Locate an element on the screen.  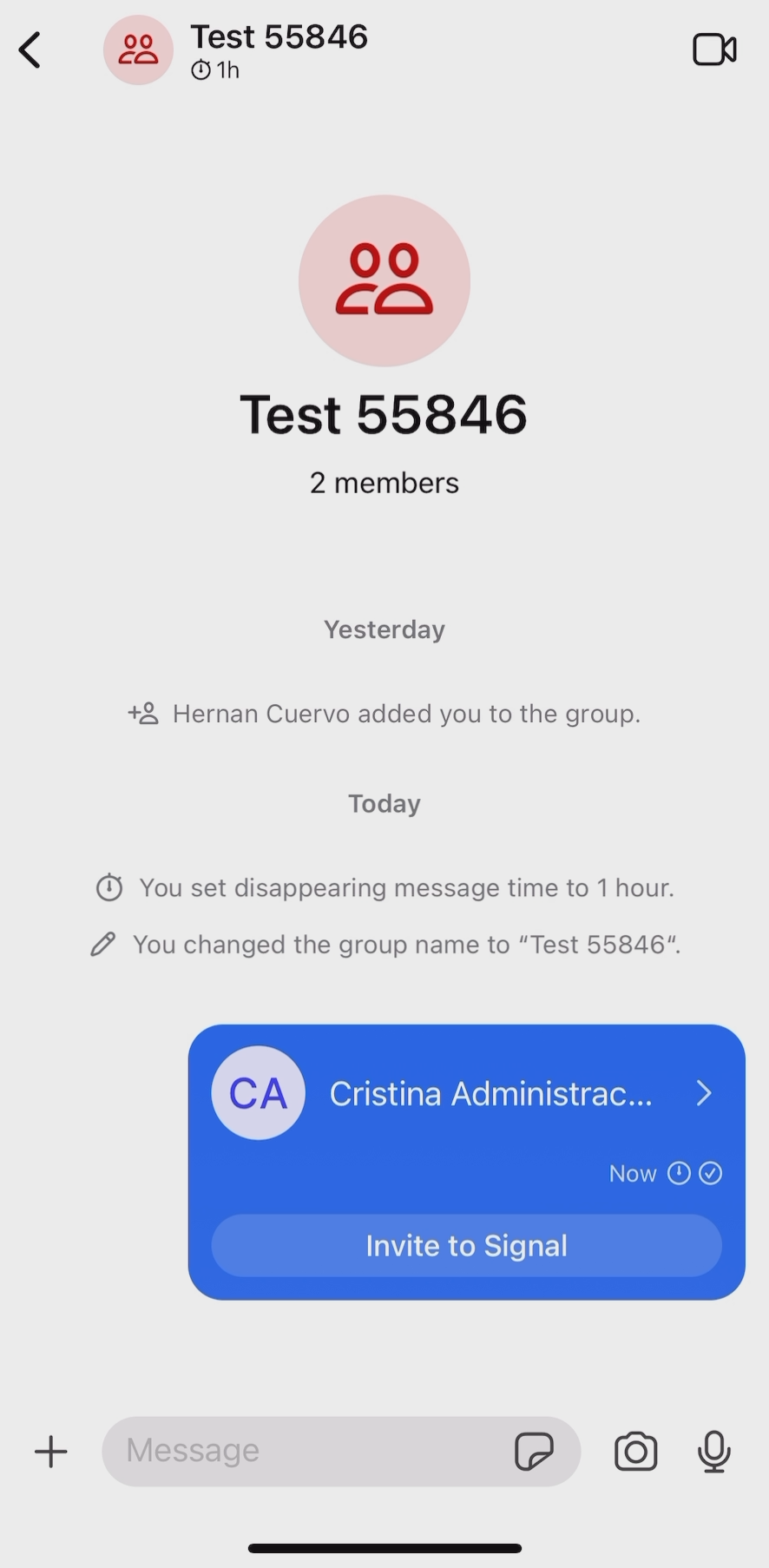
video call is located at coordinates (713, 51).